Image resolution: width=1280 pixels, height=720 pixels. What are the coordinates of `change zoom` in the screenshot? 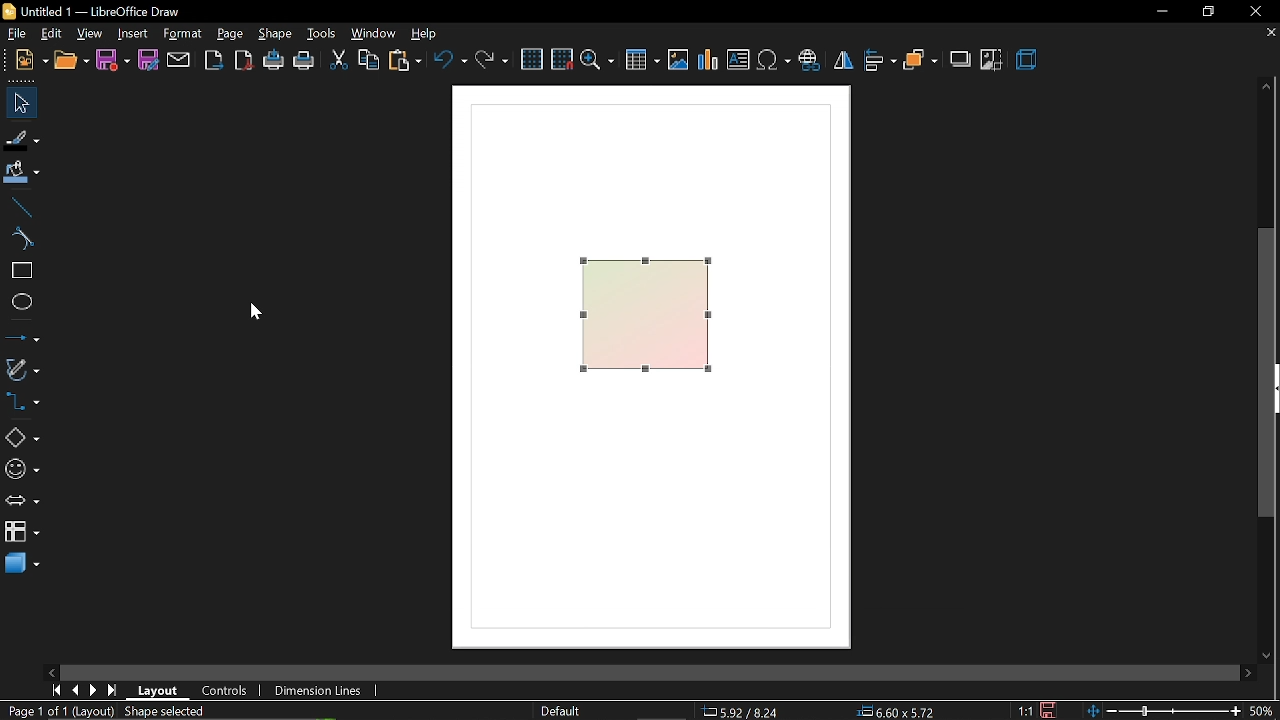 It's located at (1182, 712).